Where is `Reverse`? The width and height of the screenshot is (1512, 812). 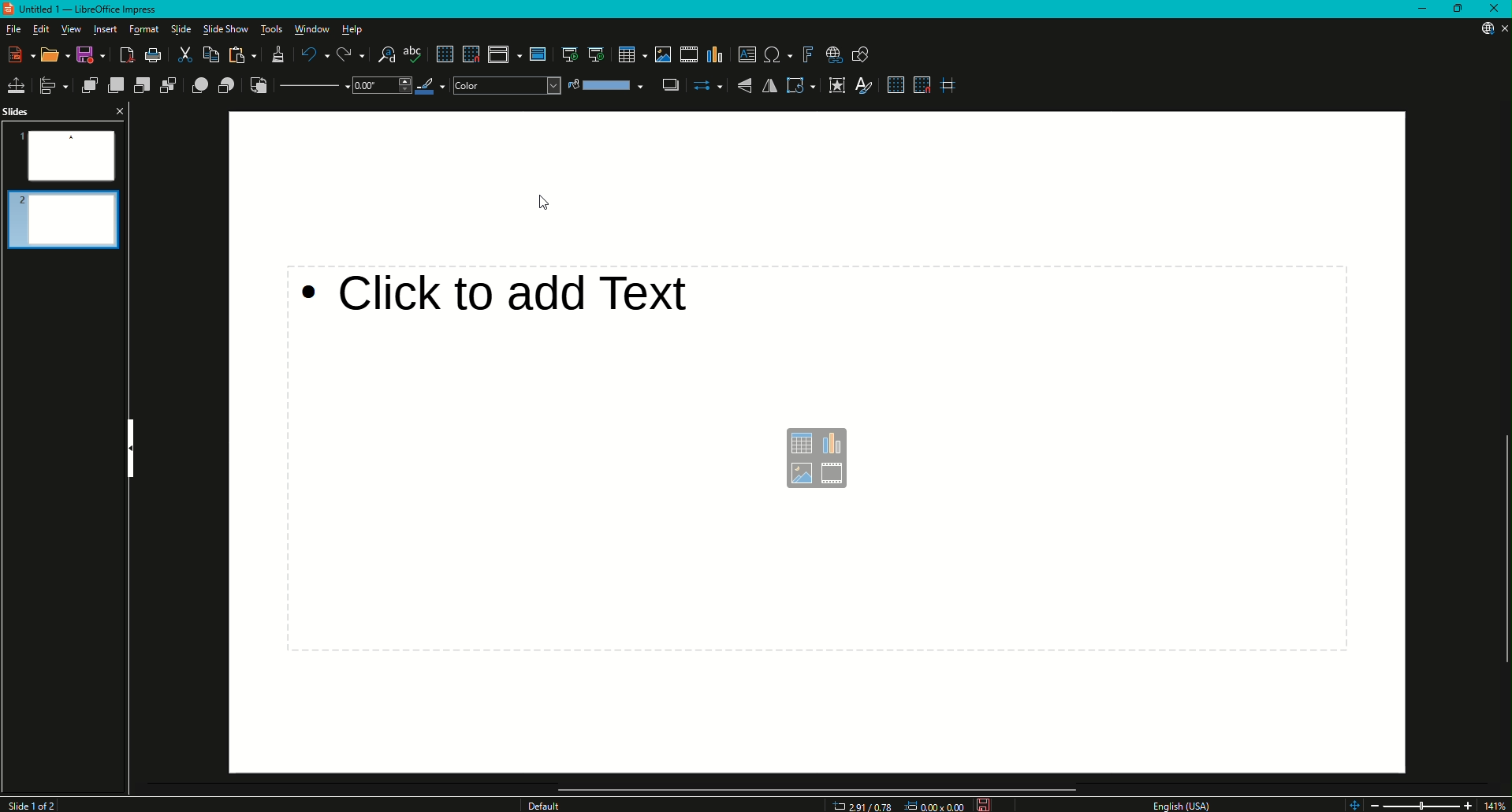 Reverse is located at coordinates (257, 88).